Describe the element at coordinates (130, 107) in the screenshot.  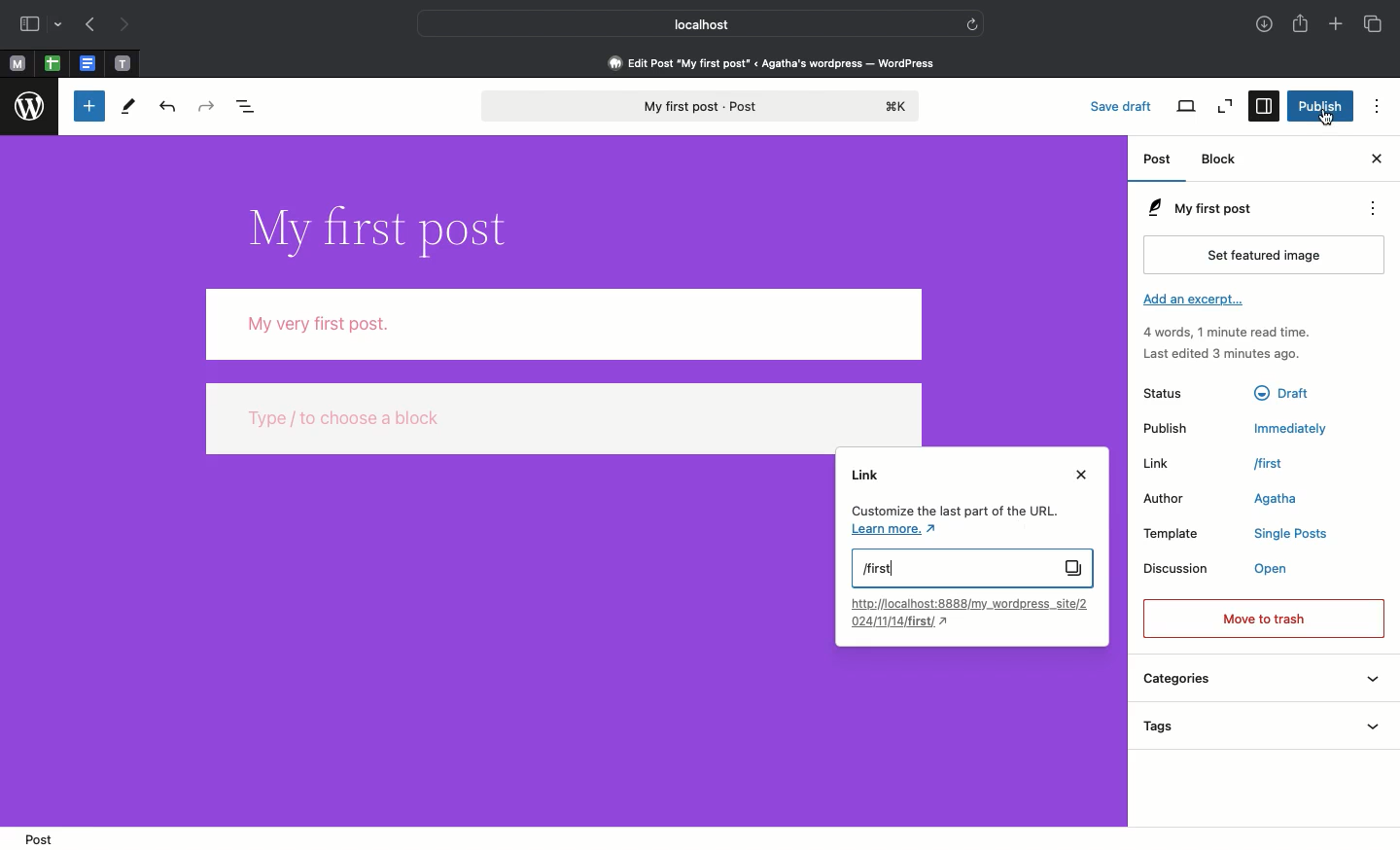
I see `Tools` at that location.